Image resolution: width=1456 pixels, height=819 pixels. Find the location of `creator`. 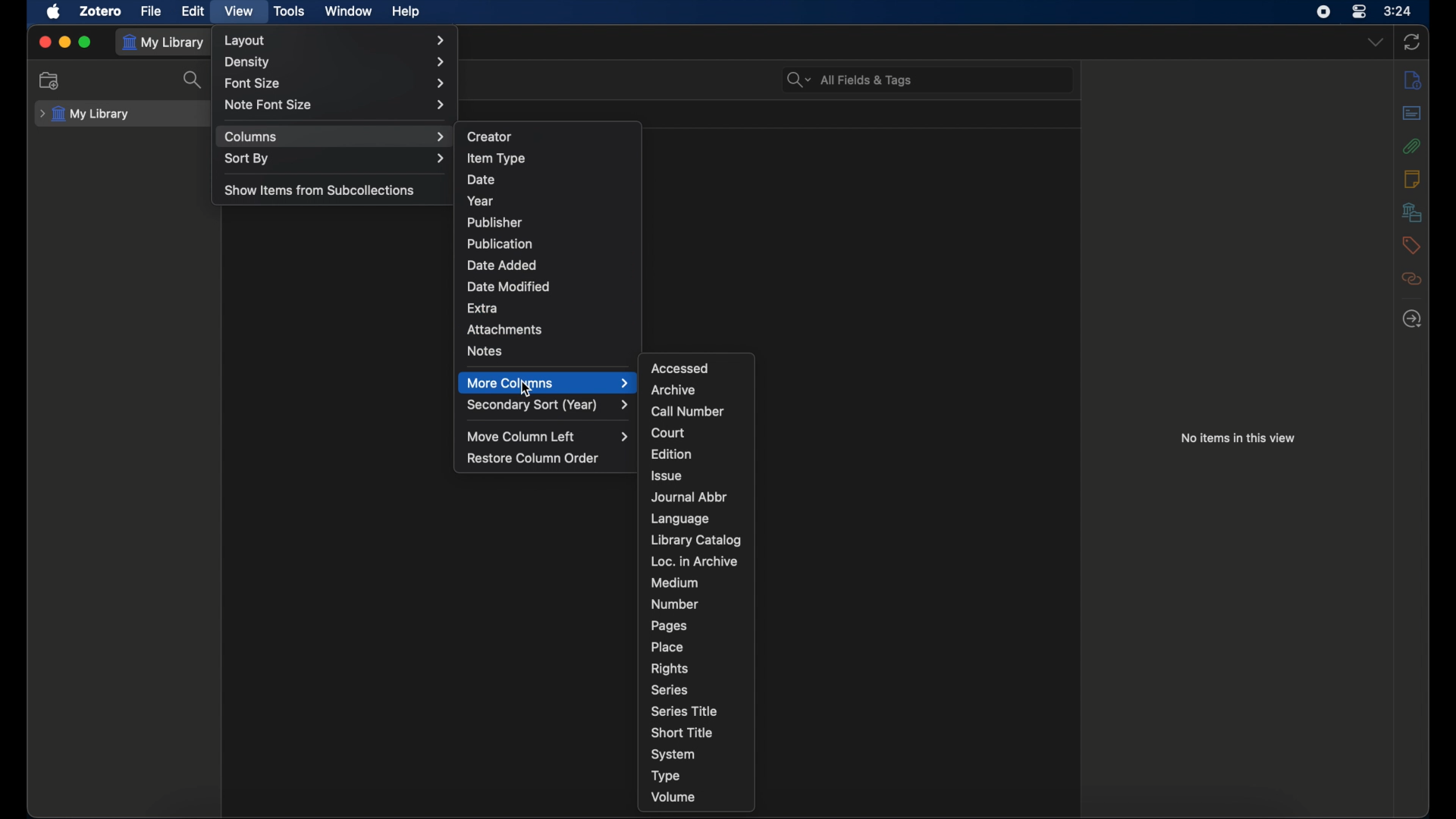

creator is located at coordinates (491, 137).